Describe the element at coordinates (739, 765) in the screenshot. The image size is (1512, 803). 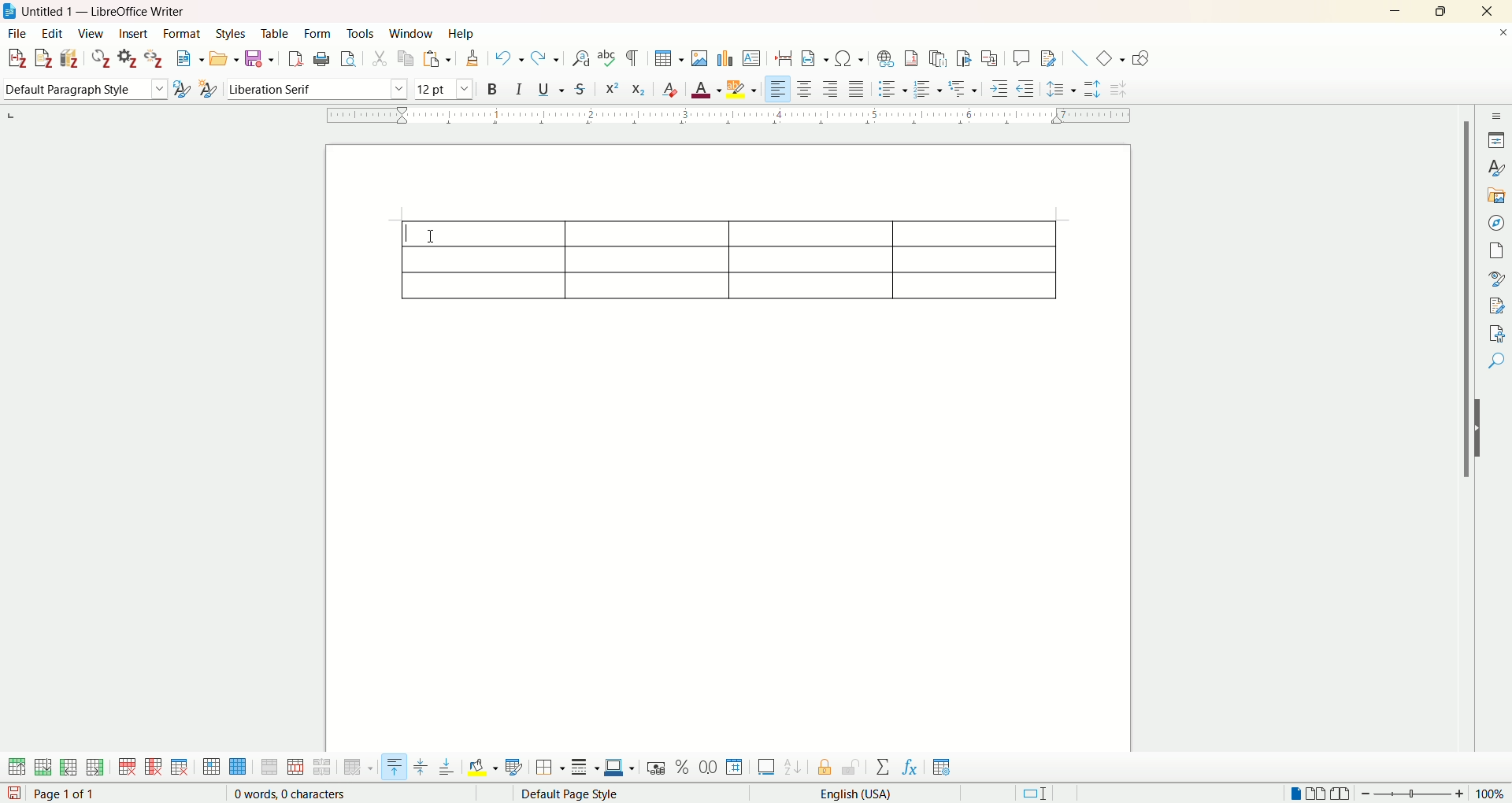
I see `format as number` at that location.